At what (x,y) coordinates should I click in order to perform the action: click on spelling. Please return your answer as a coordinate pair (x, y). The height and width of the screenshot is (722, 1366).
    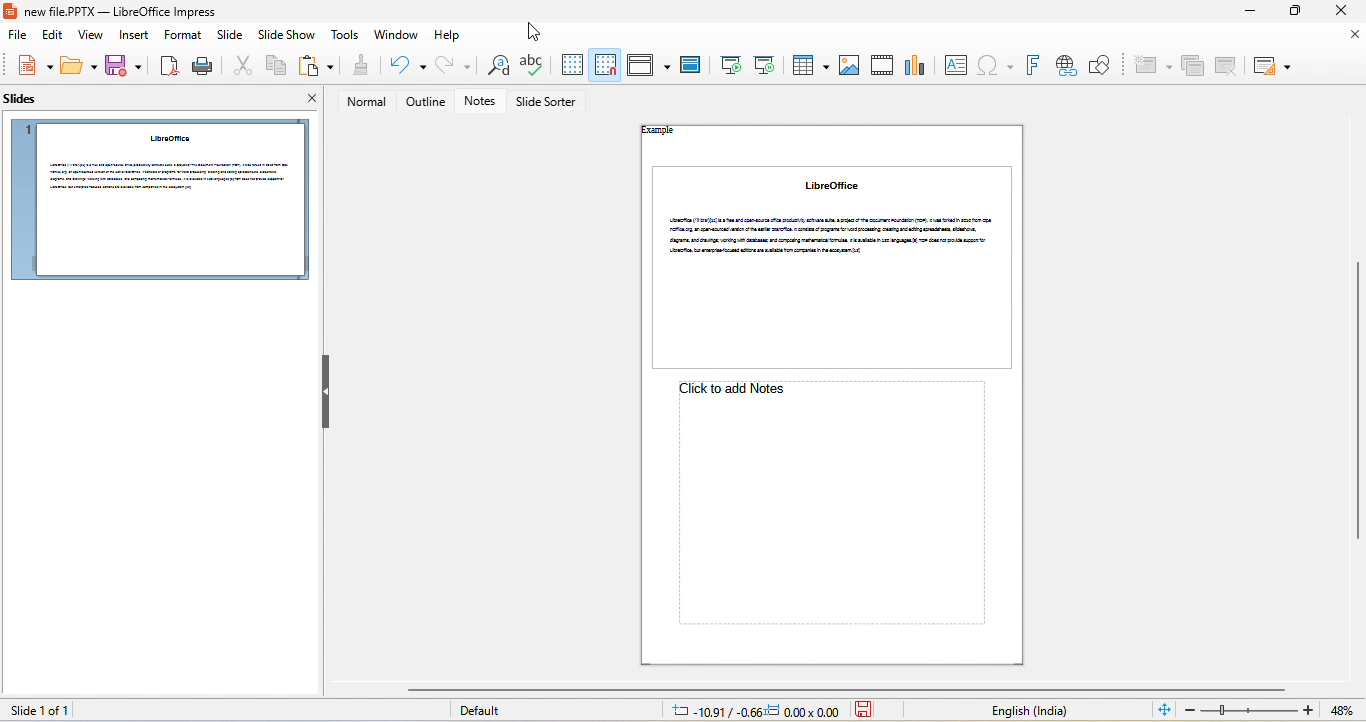
    Looking at the image, I should click on (532, 66).